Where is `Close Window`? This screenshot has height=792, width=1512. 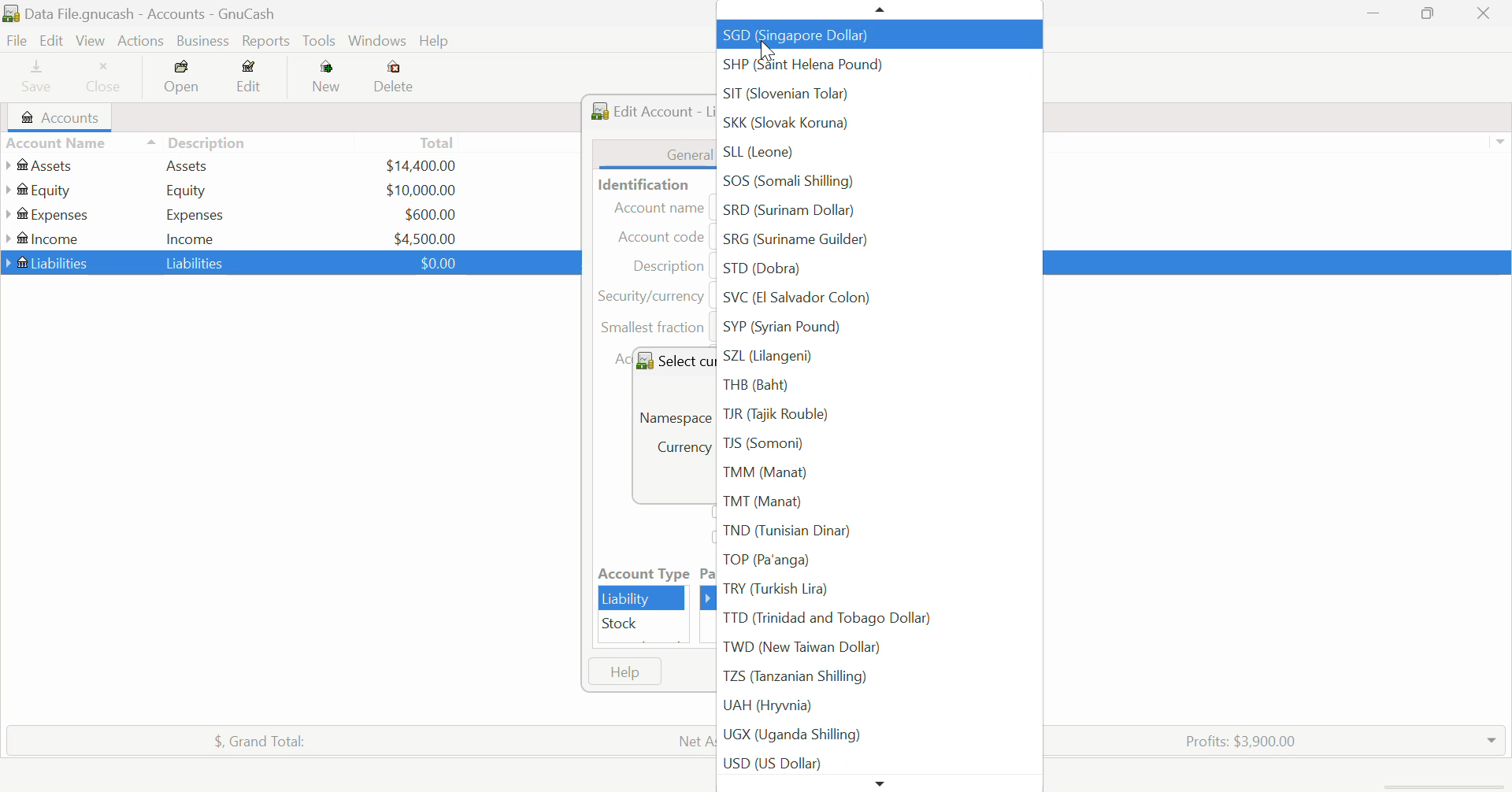
Close Window is located at coordinates (1488, 13).